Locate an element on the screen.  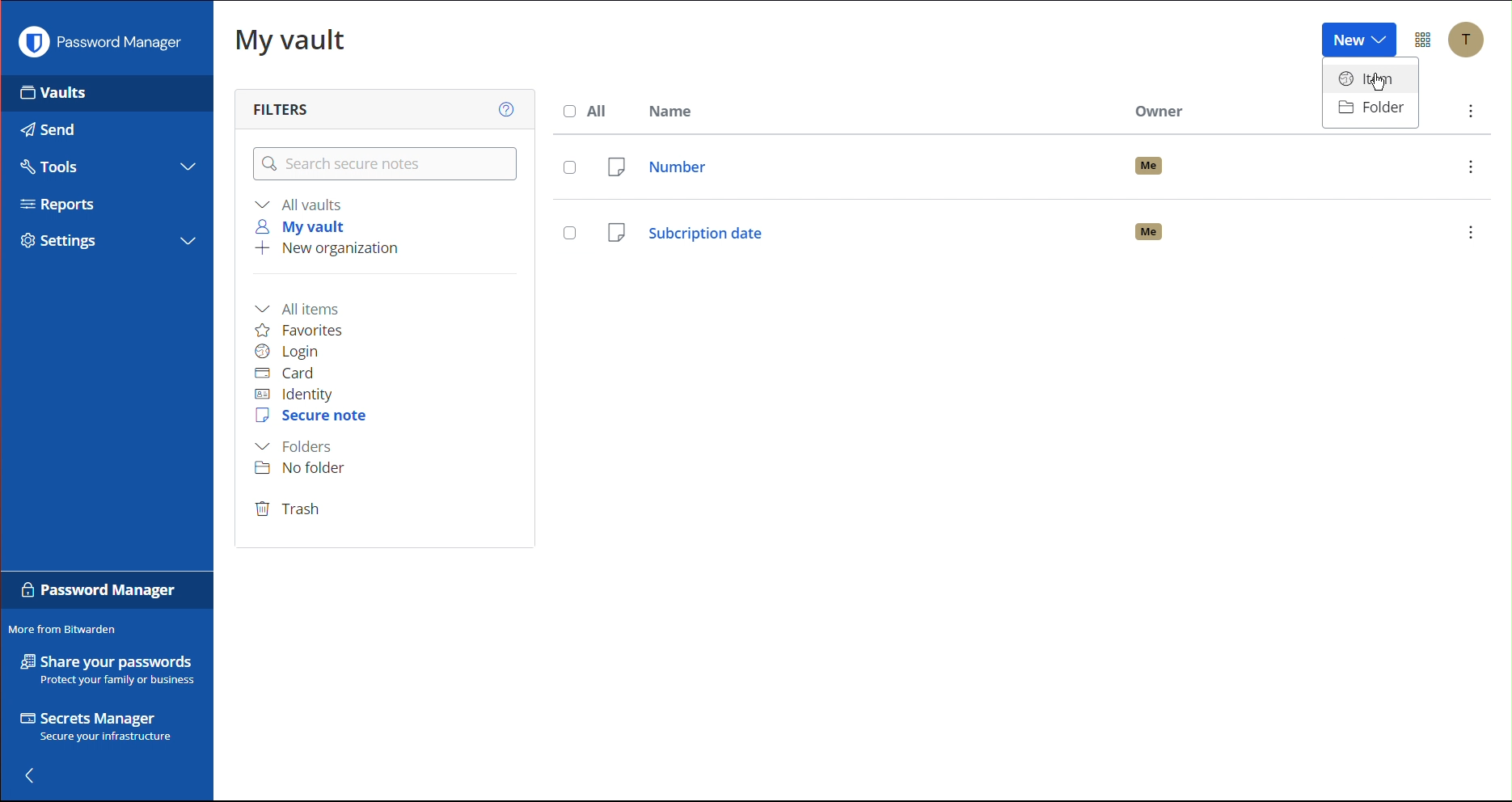
All is located at coordinates (586, 110).